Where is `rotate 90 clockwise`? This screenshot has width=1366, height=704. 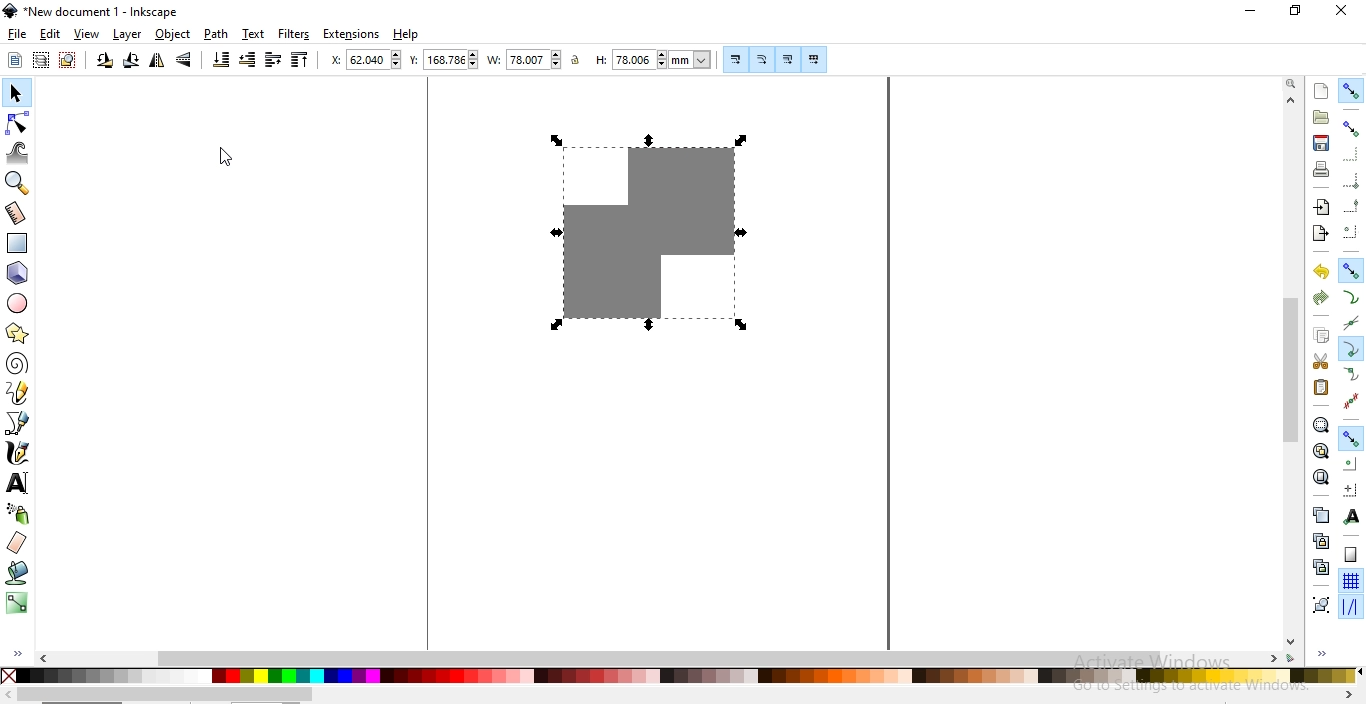
rotate 90 clockwise is located at coordinates (129, 62).